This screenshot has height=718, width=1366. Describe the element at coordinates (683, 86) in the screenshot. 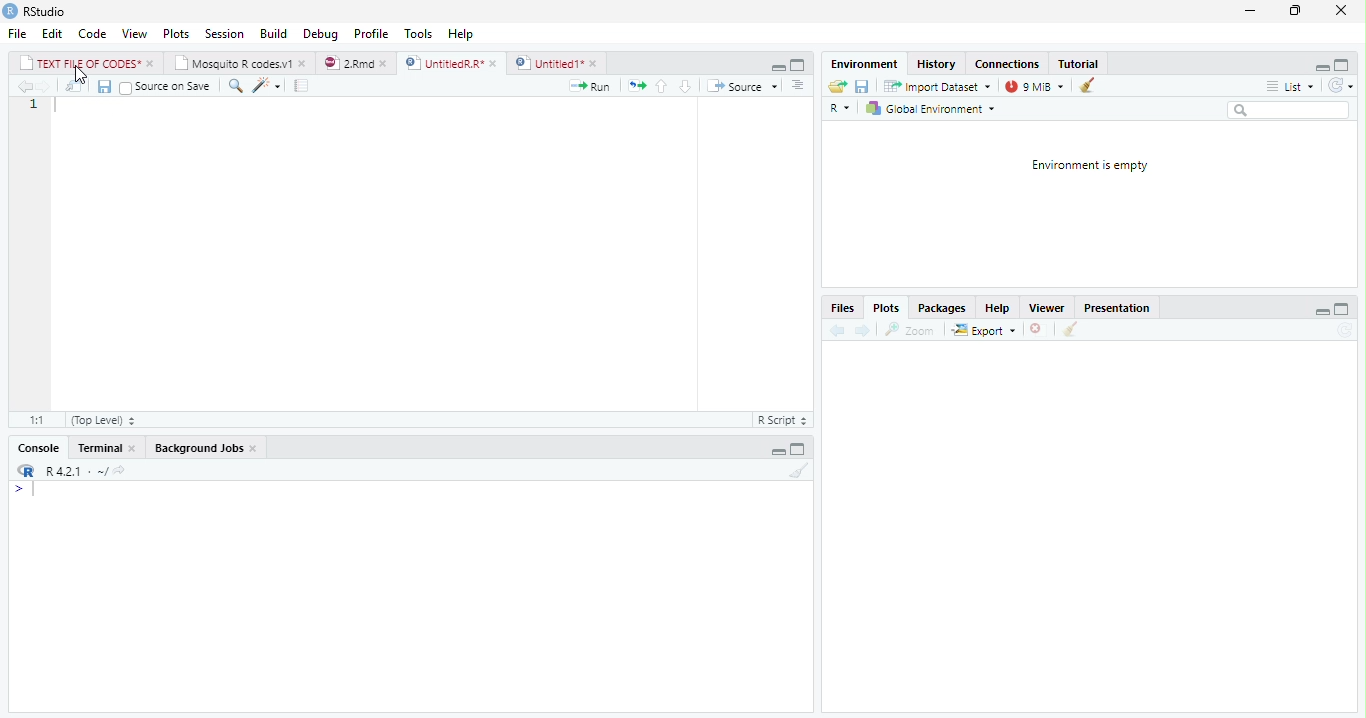

I see `go to next section/chunk` at that location.